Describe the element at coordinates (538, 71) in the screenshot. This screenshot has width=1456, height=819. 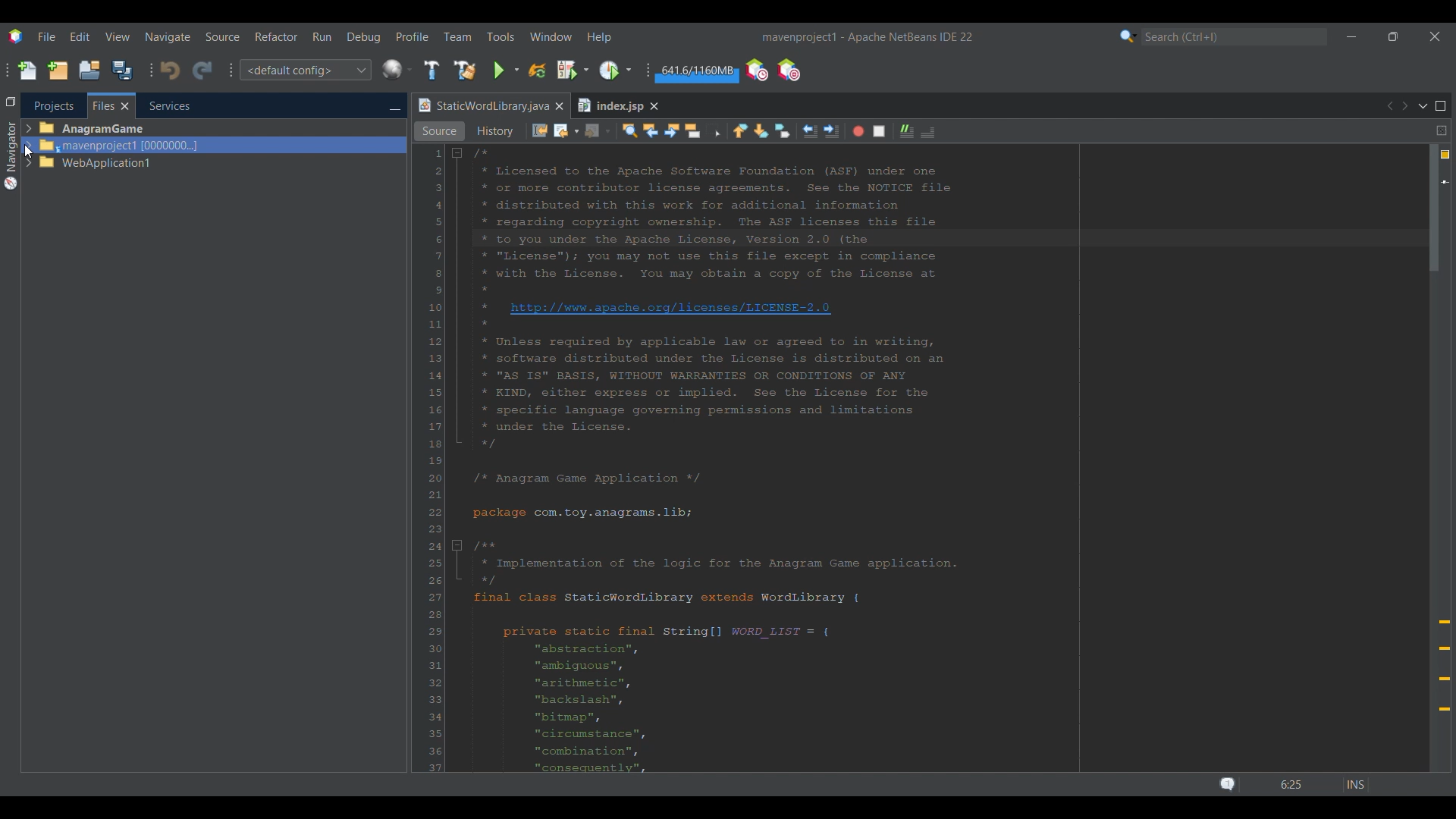
I see `Reload` at that location.